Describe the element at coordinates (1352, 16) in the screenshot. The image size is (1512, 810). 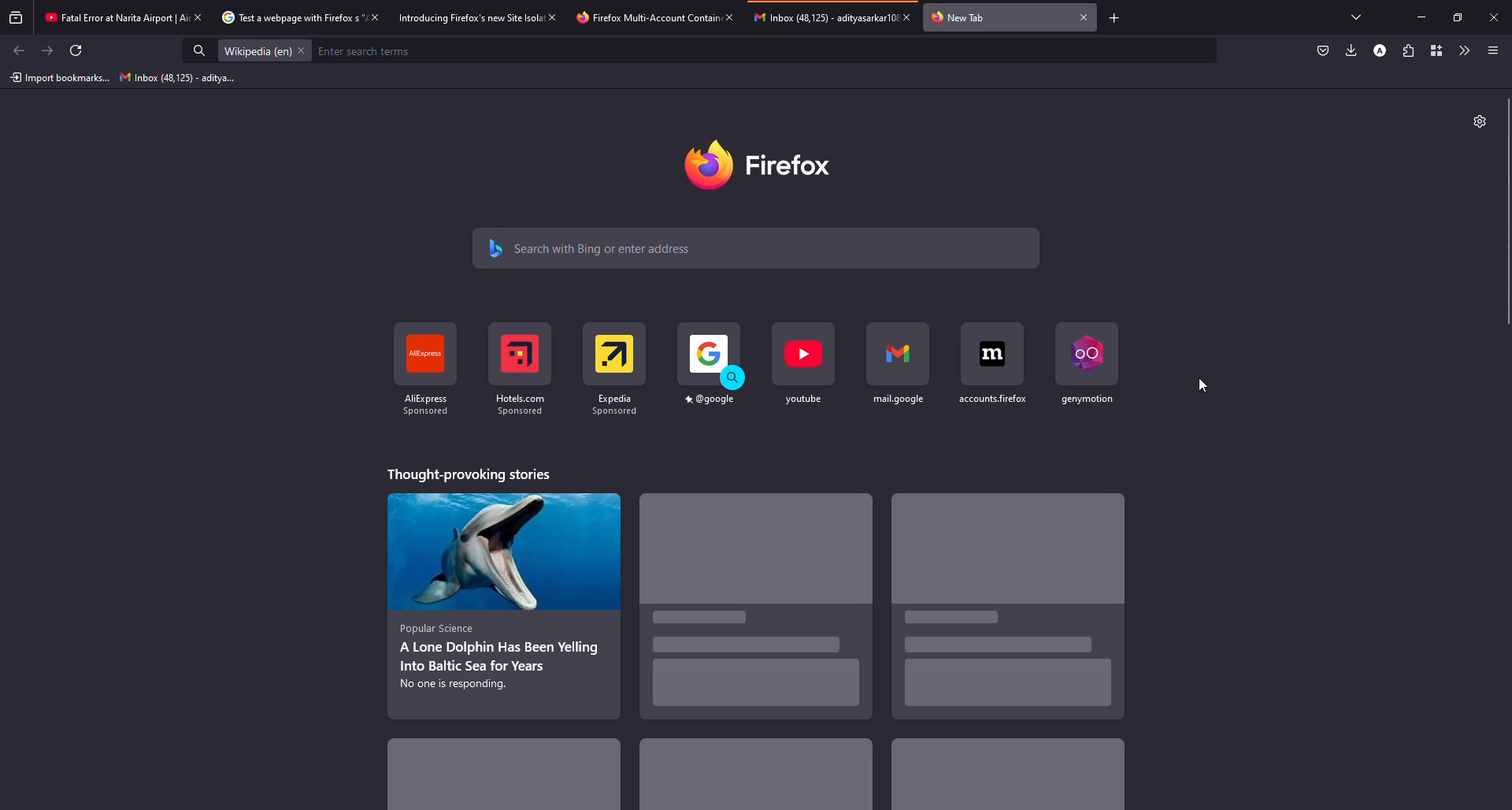
I see `tabs` at that location.